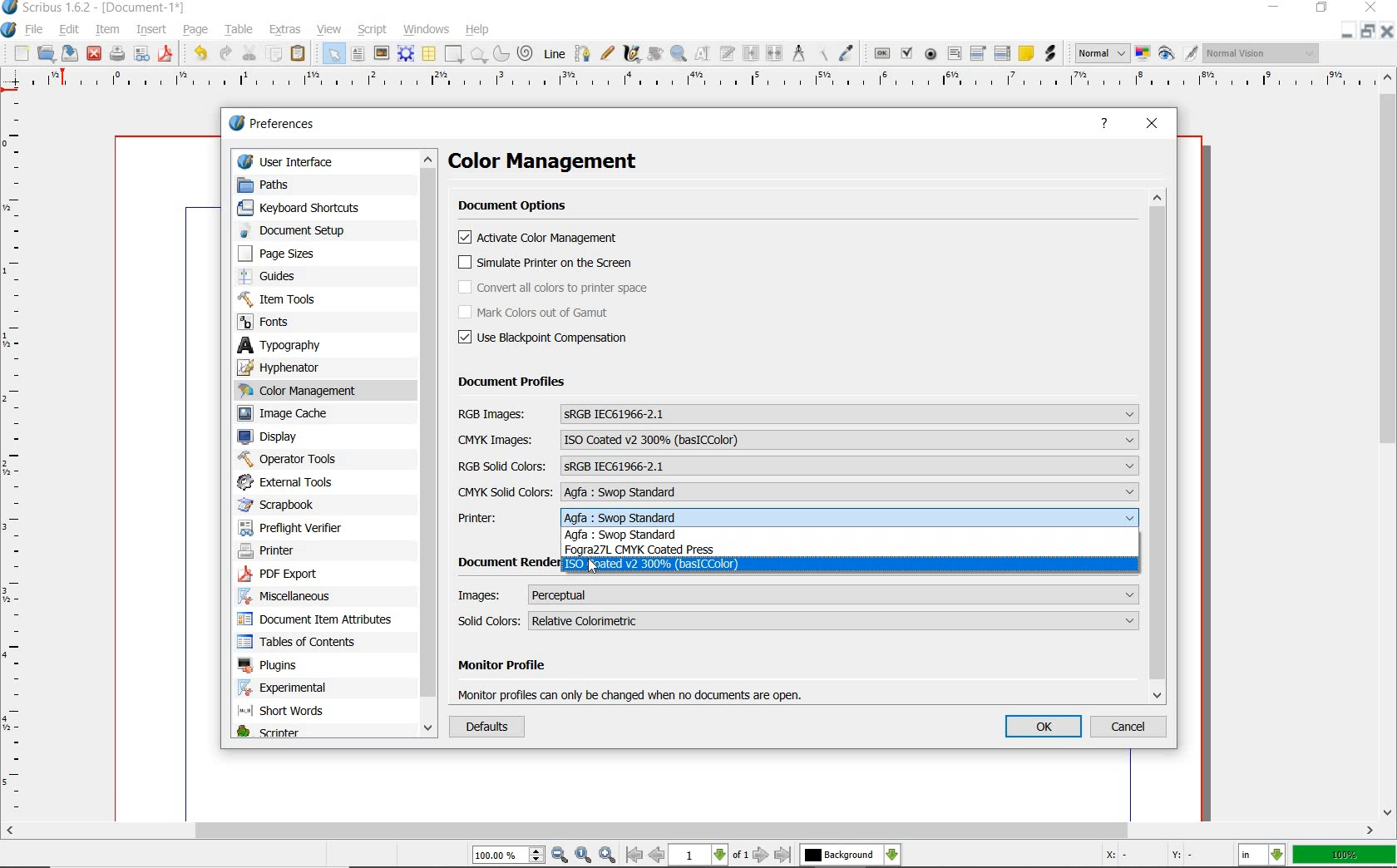 The image size is (1397, 868). I want to click on close, so click(94, 53).